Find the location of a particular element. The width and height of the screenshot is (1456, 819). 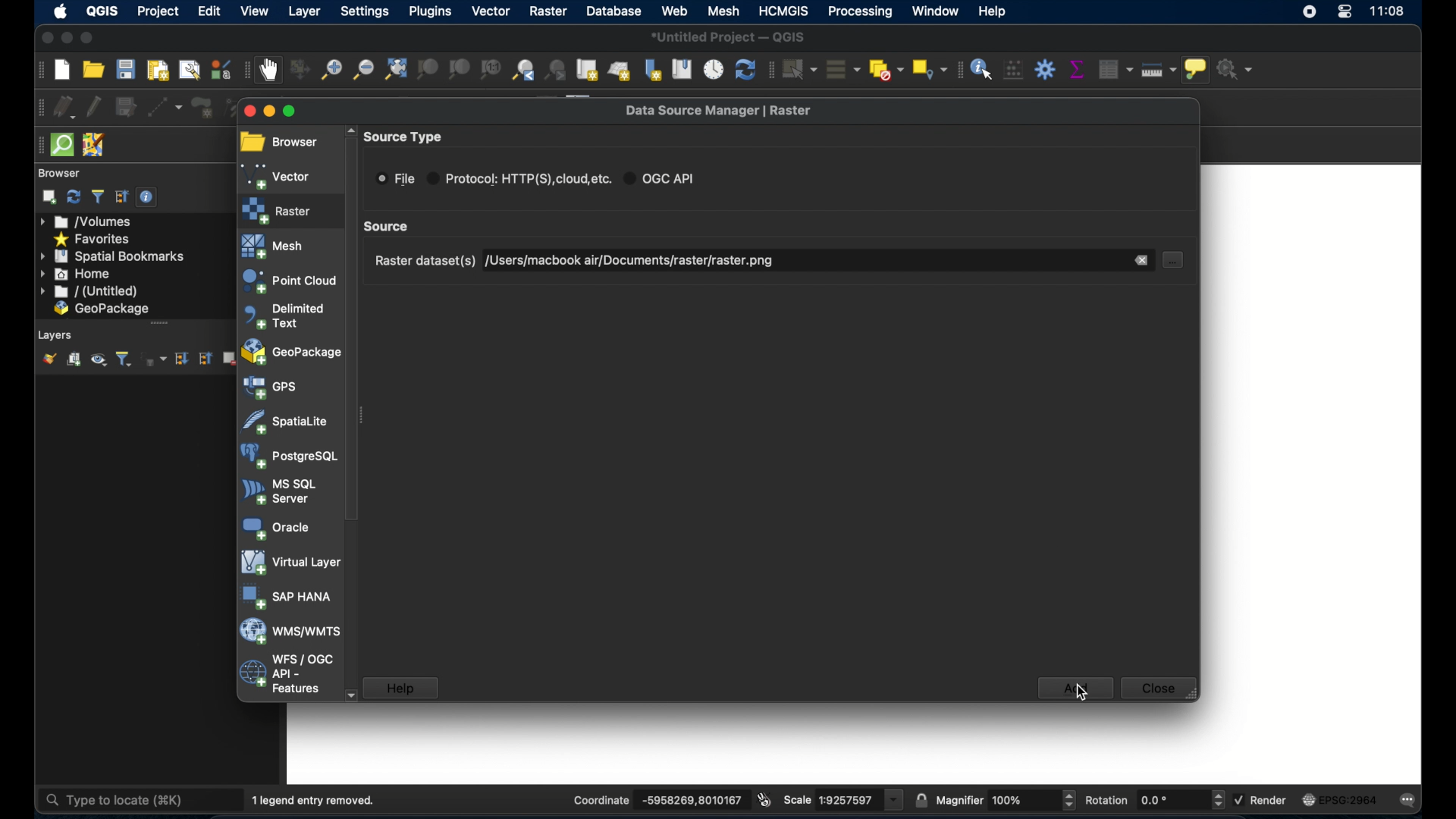

type to locate is located at coordinates (118, 799).